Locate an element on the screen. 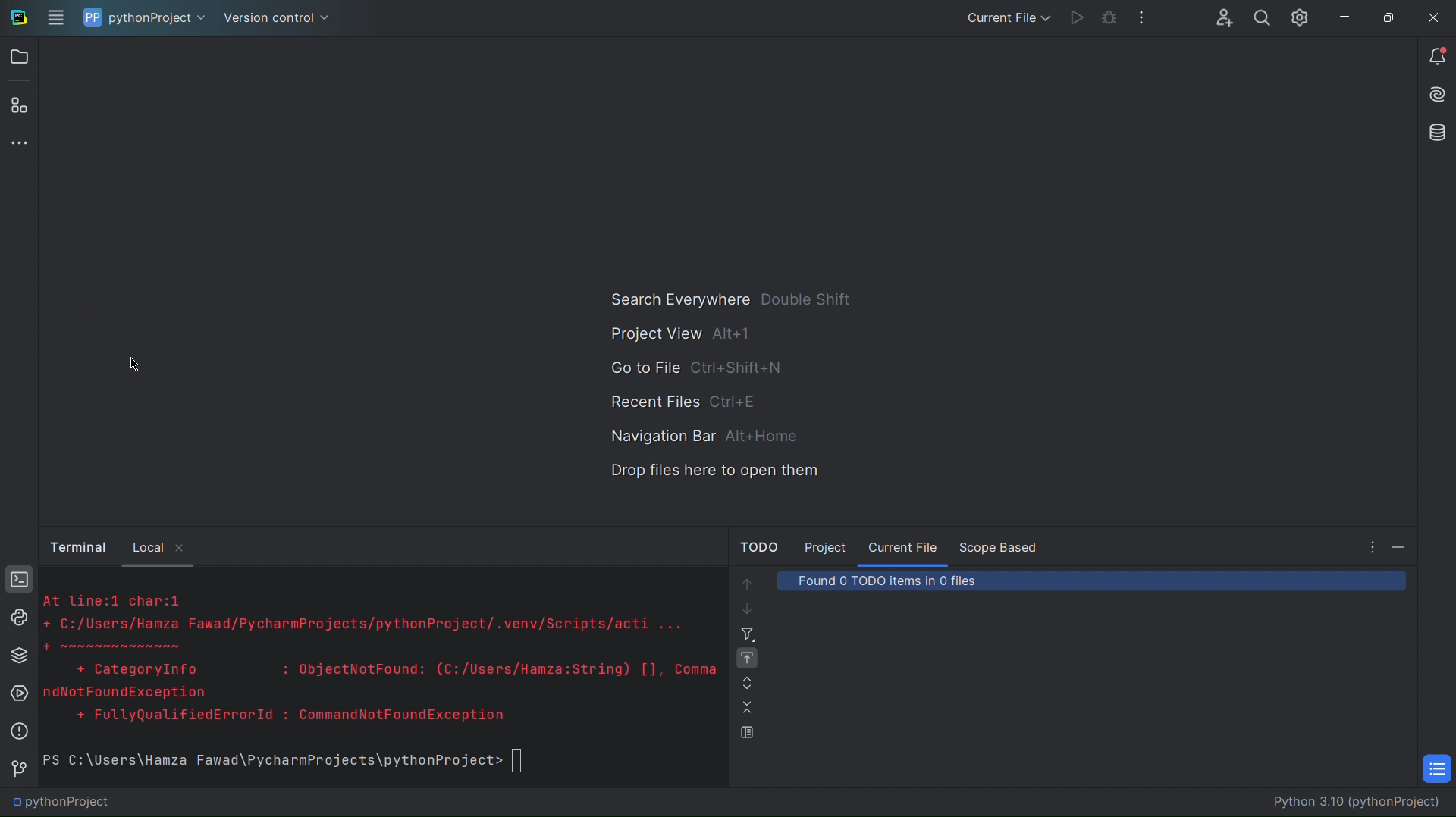 The height and width of the screenshot is (817, 1456). 0 pythonProject is located at coordinates (61, 803).